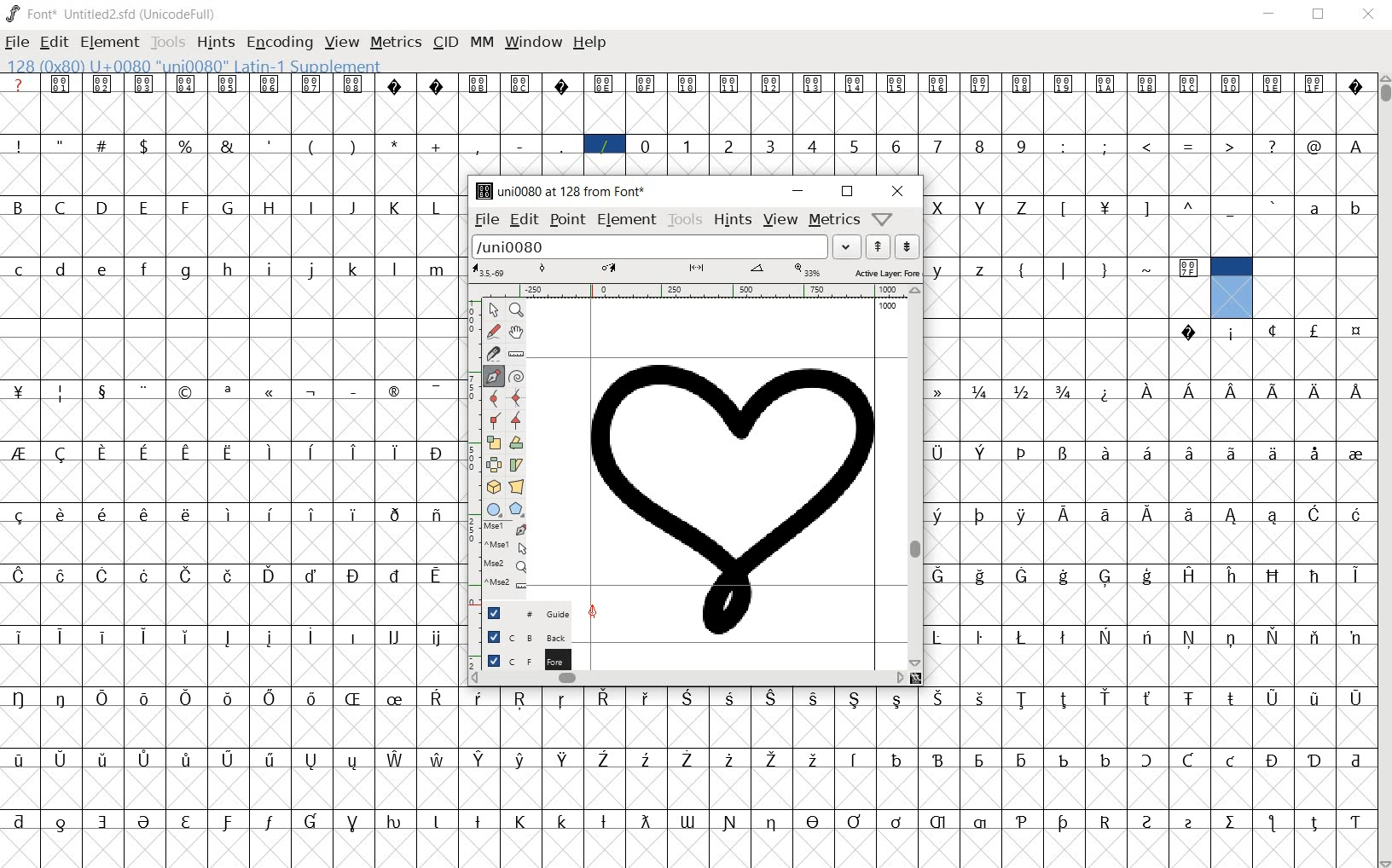 This screenshot has height=868, width=1392. Describe the element at coordinates (520, 699) in the screenshot. I see `glyph` at that location.